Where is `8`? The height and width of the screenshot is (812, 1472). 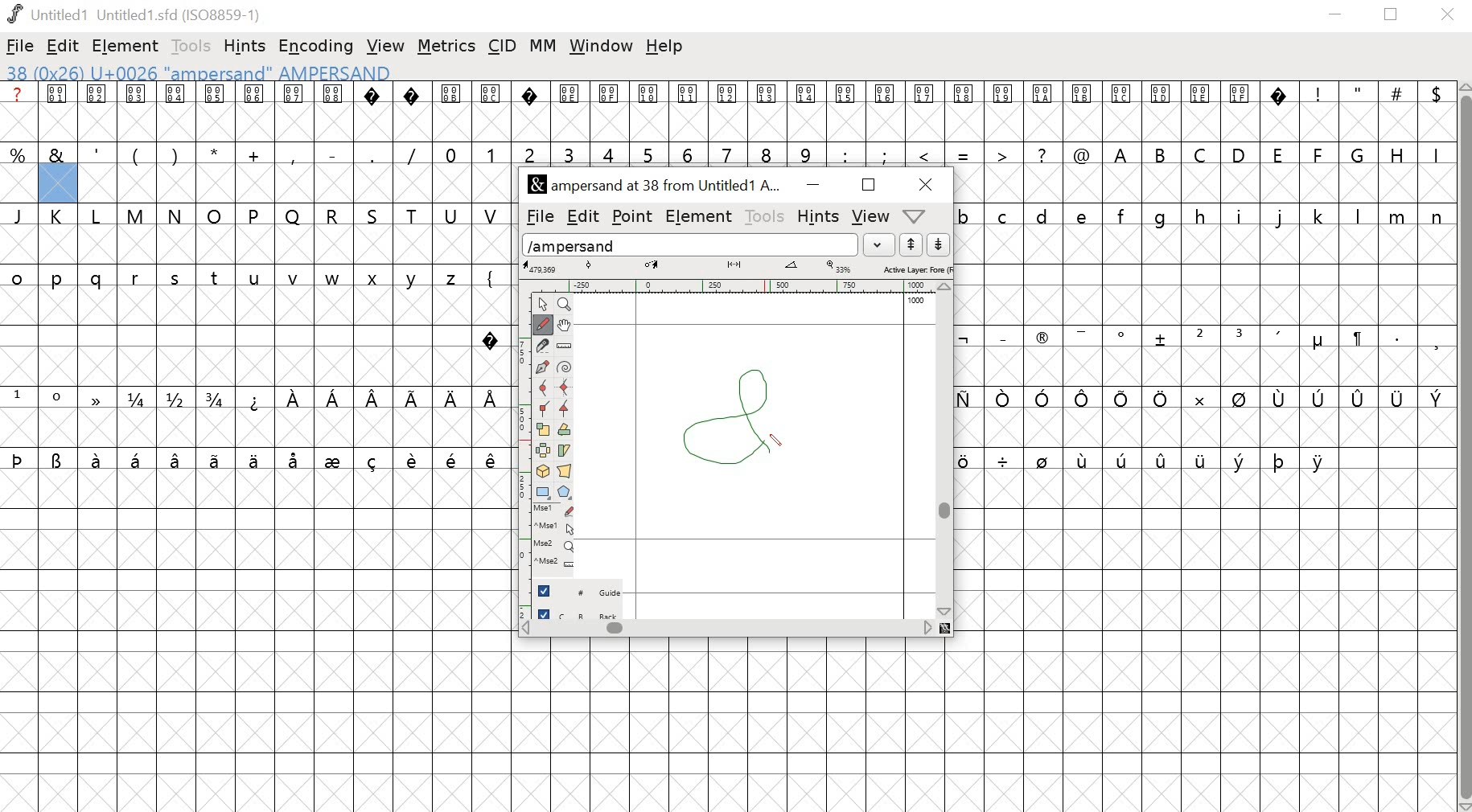 8 is located at coordinates (767, 153).